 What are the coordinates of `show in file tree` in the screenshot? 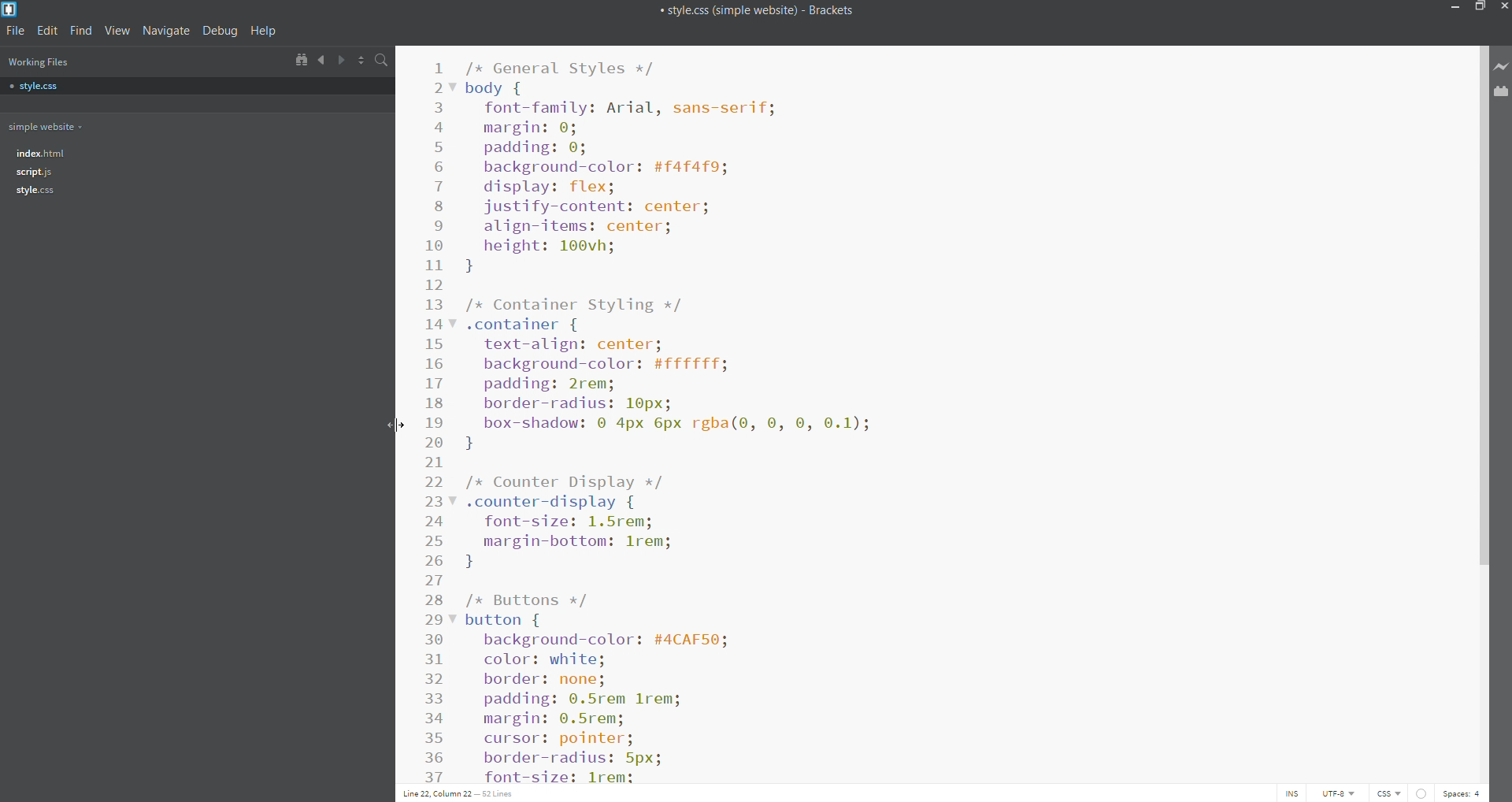 It's located at (298, 61).